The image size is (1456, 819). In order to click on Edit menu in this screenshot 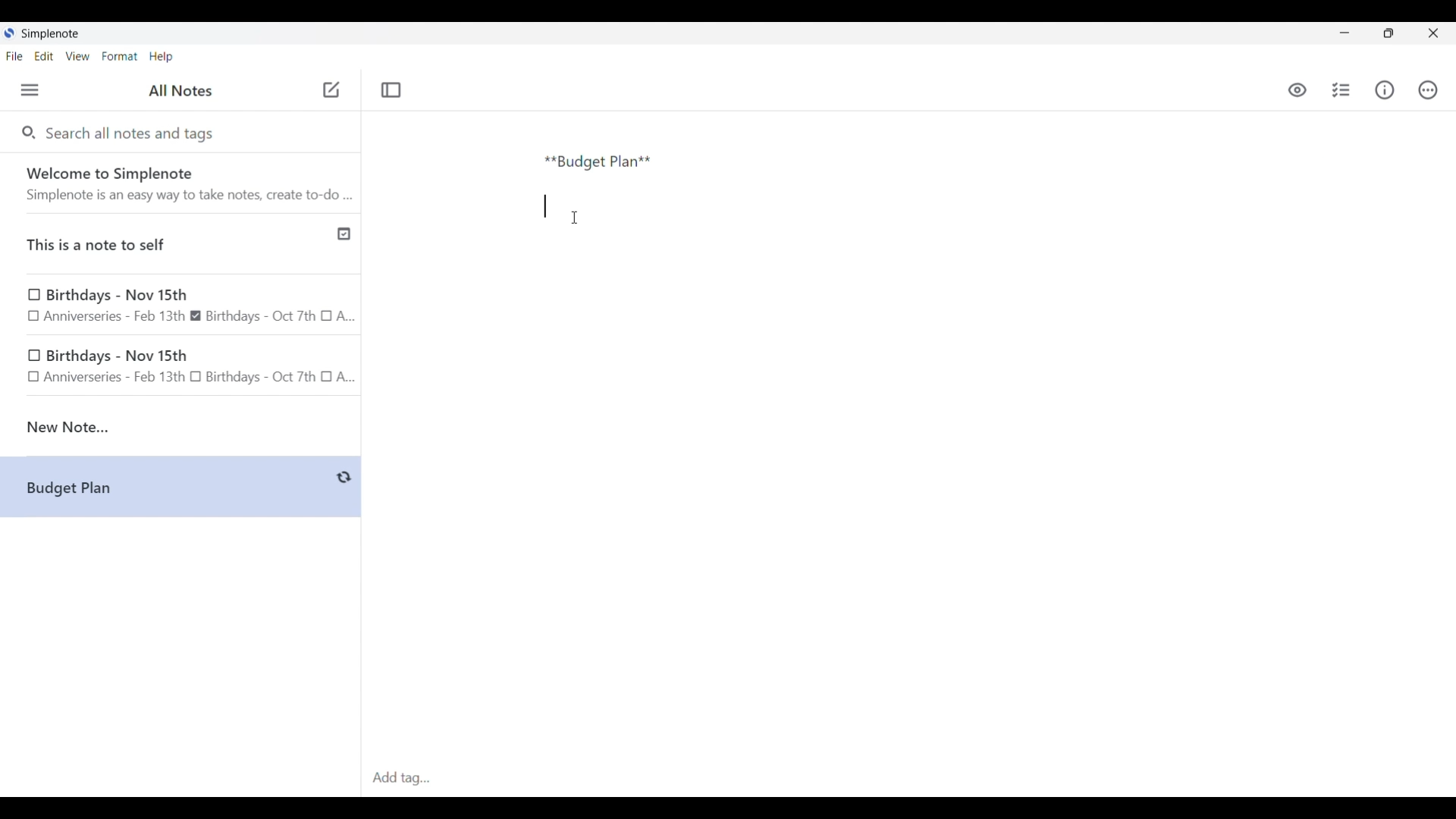, I will do `click(45, 55)`.